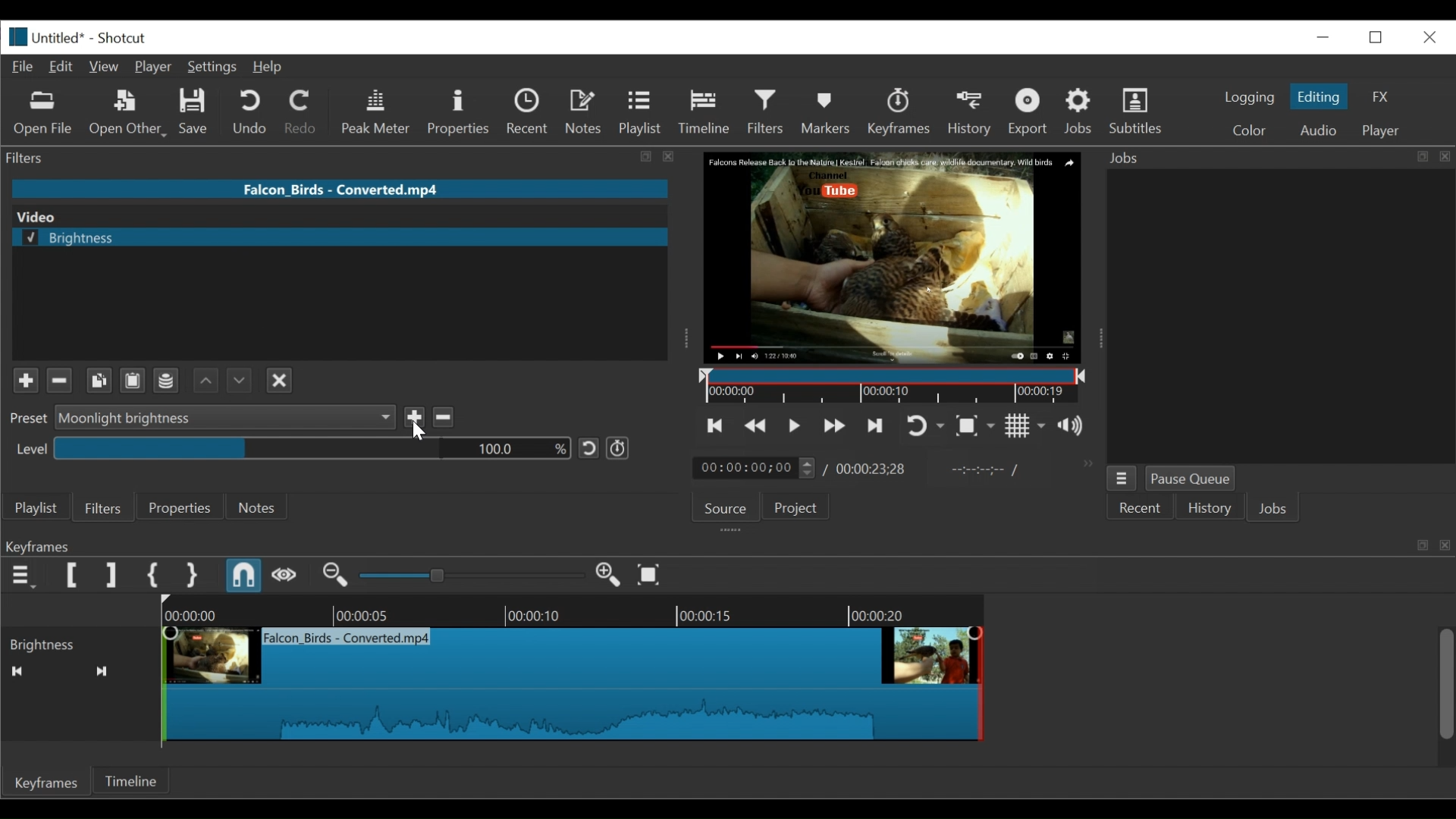 This screenshot has height=819, width=1456. Describe the element at coordinates (49, 643) in the screenshot. I see `Brightness` at that location.